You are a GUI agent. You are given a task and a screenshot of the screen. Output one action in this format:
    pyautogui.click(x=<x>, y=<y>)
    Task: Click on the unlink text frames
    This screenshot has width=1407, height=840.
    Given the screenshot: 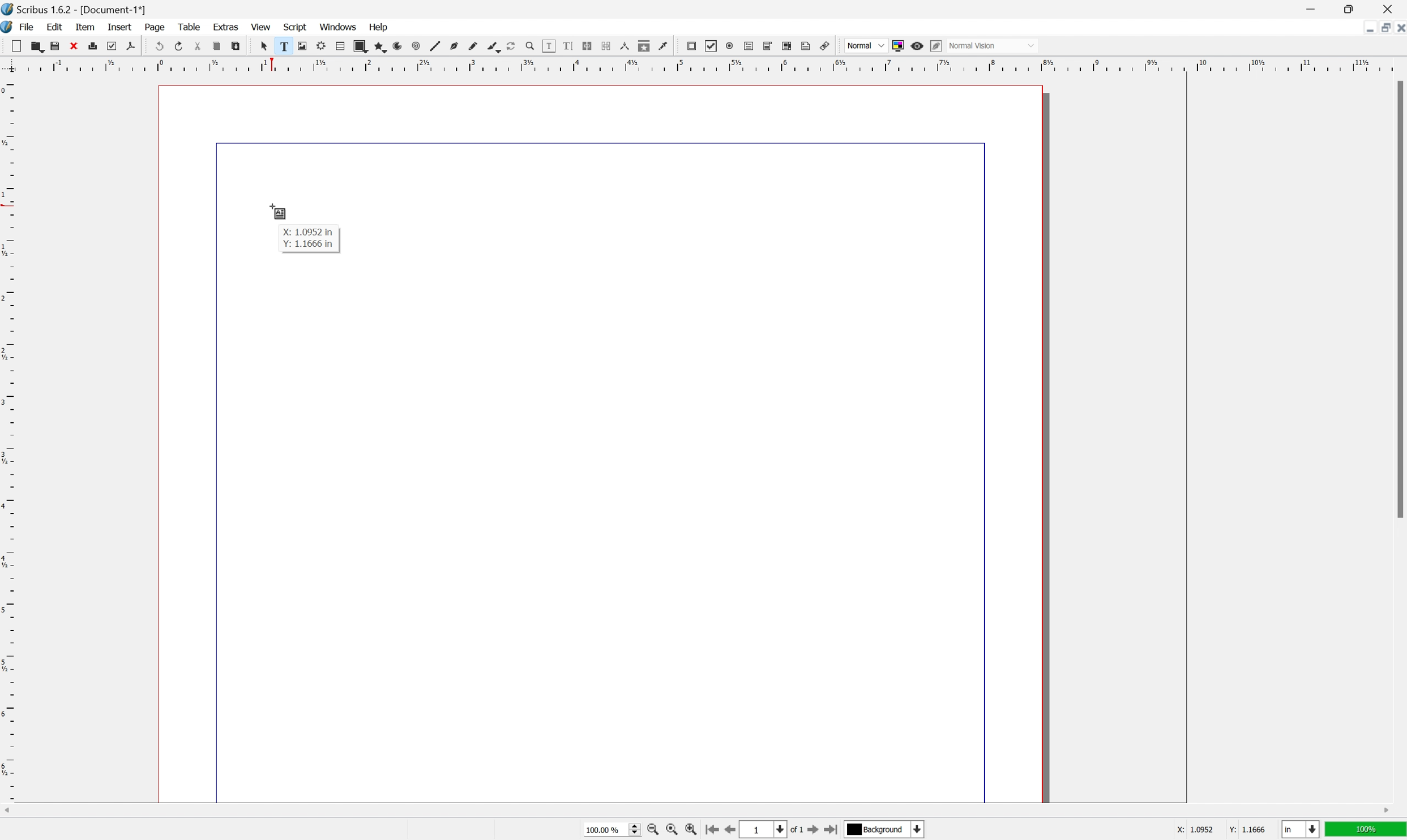 What is the action you would take?
    pyautogui.click(x=605, y=45)
    